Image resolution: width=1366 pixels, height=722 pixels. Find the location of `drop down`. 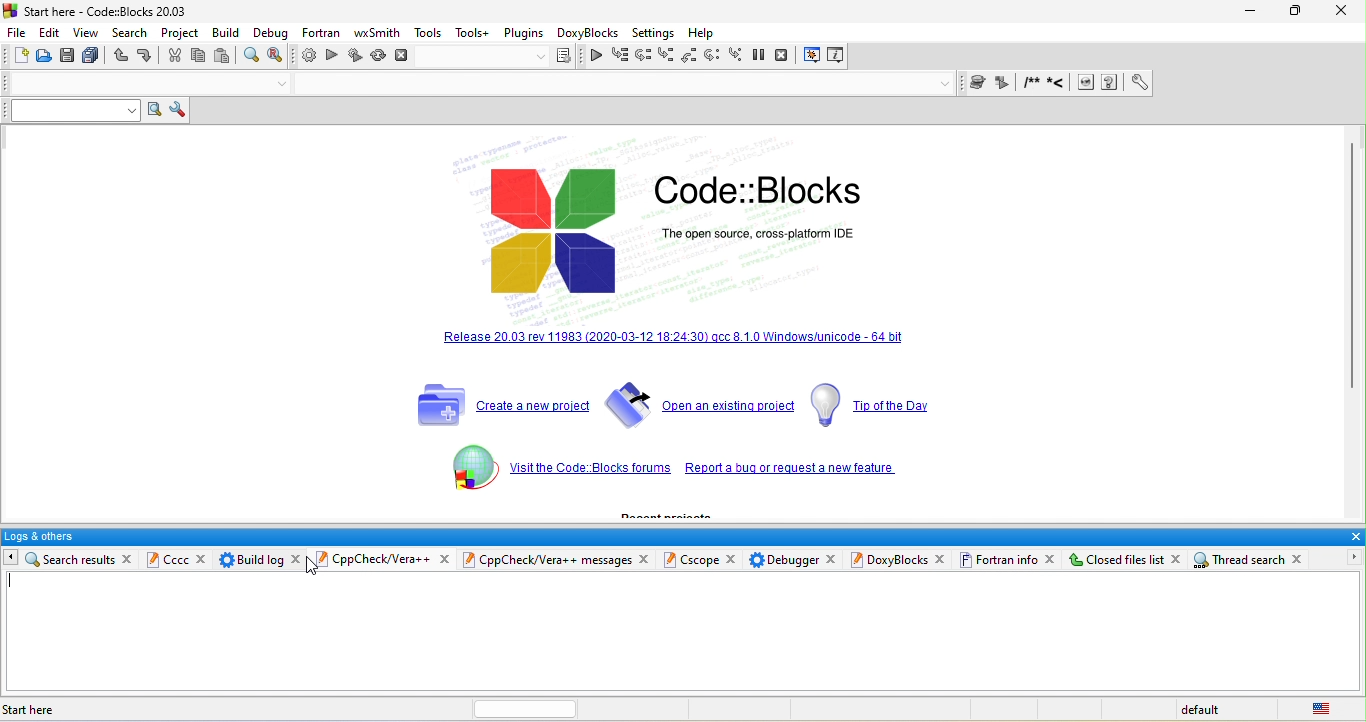

drop down is located at coordinates (946, 83).